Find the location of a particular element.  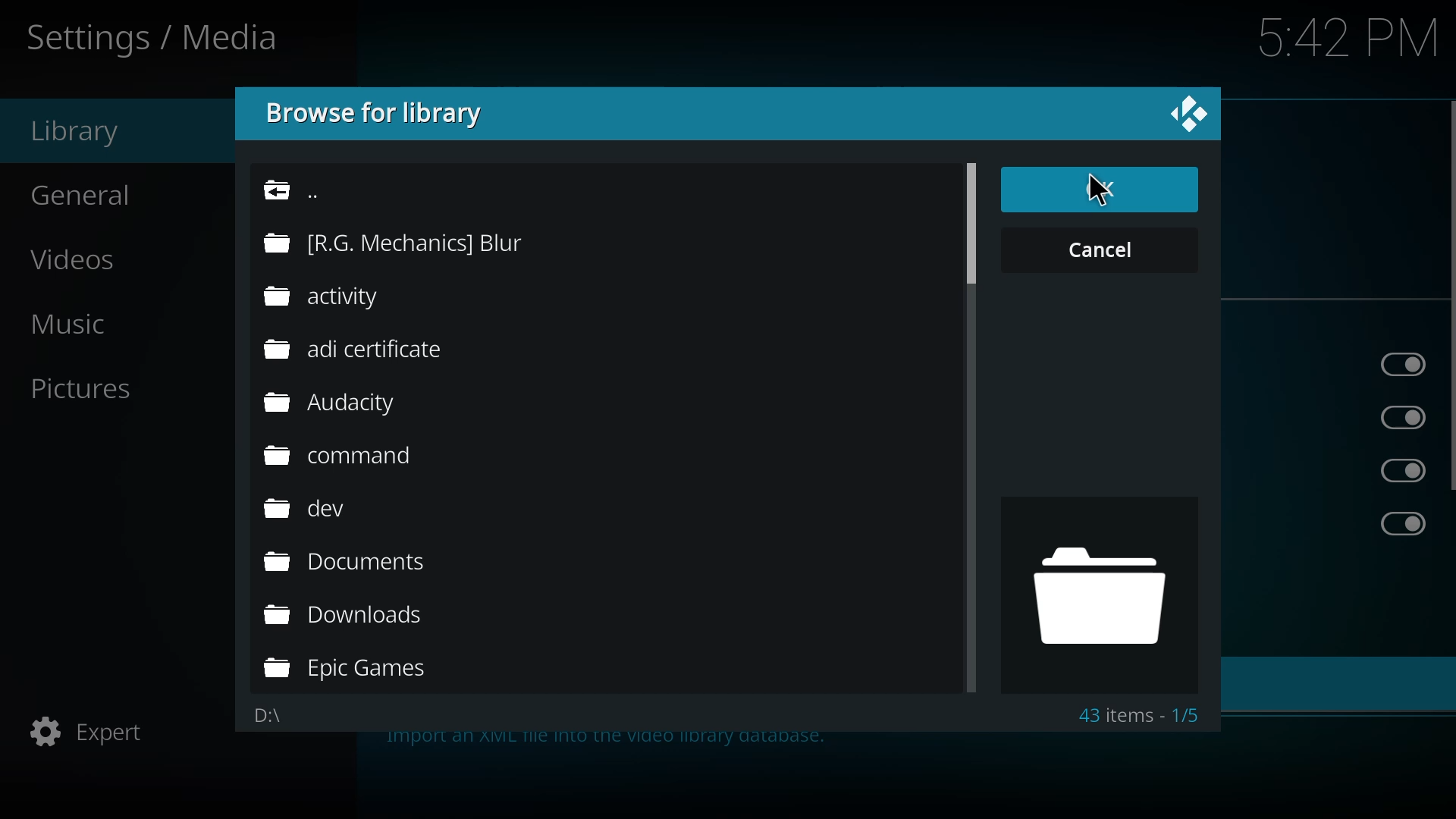

settings media is located at coordinates (156, 37).